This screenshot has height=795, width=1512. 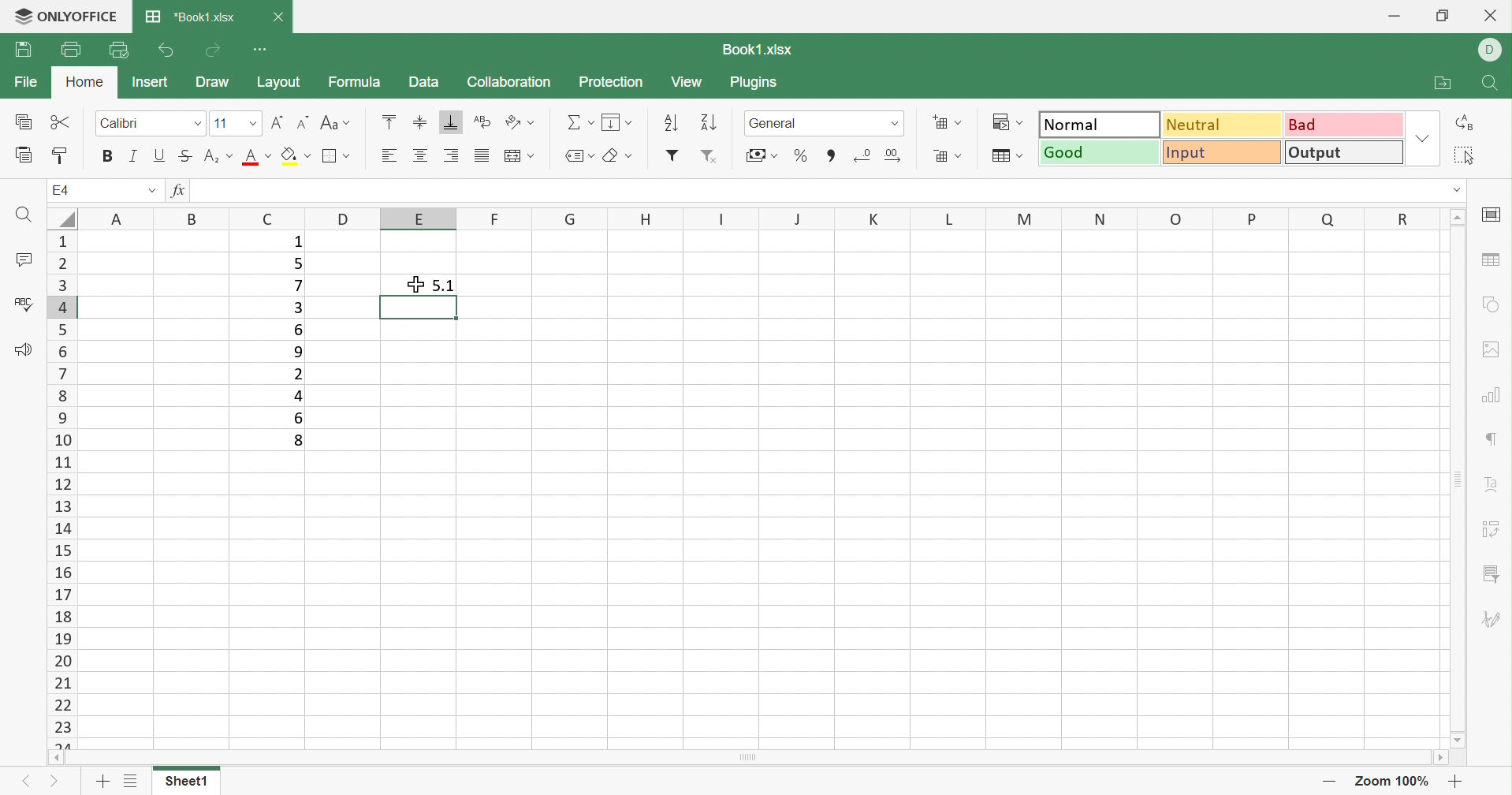 What do you see at coordinates (21, 123) in the screenshot?
I see `Copy` at bounding box center [21, 123].